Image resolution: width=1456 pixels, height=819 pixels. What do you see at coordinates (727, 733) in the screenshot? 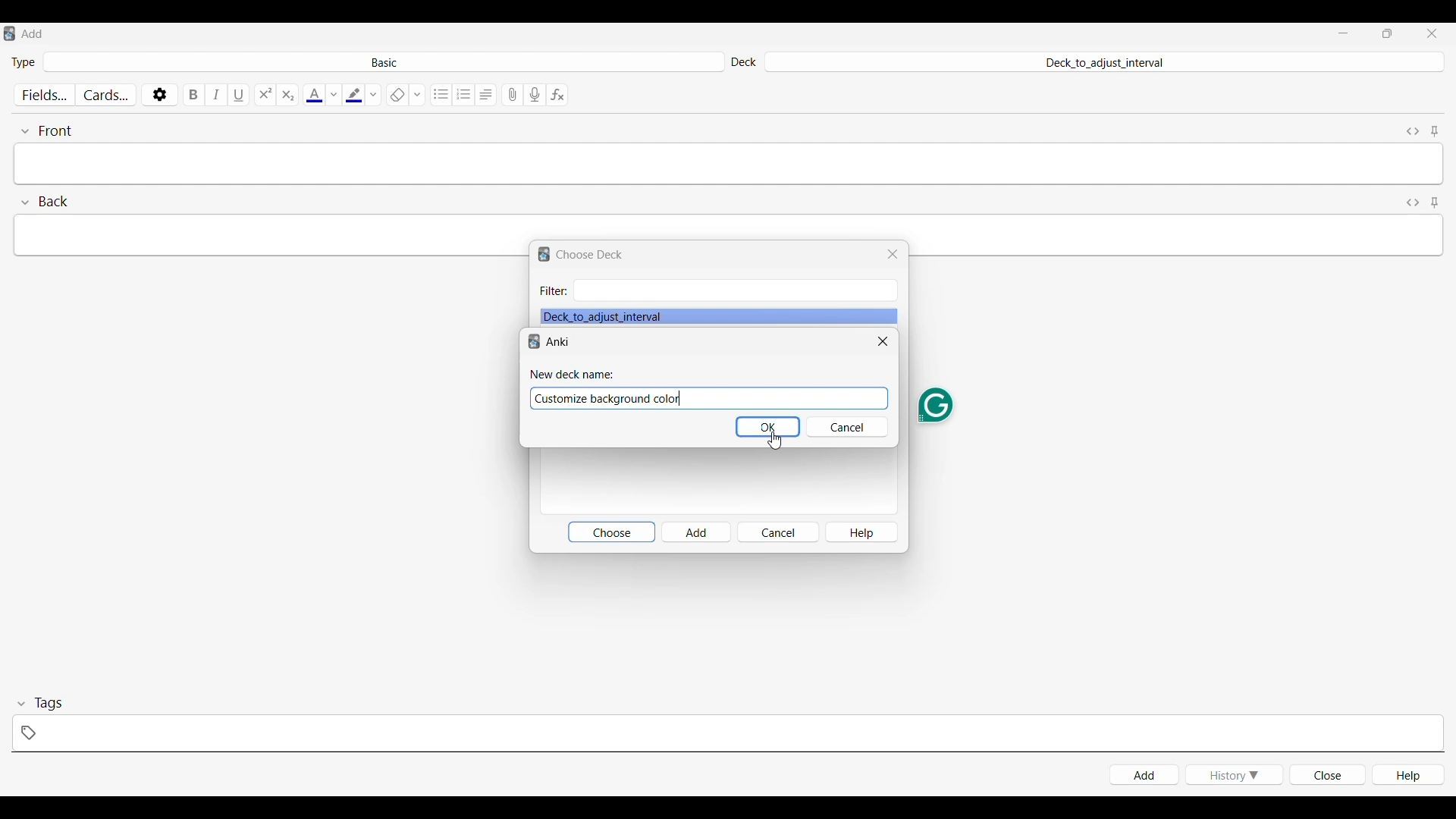
I see `Click to type in tags` at bounding box center [727, 733].